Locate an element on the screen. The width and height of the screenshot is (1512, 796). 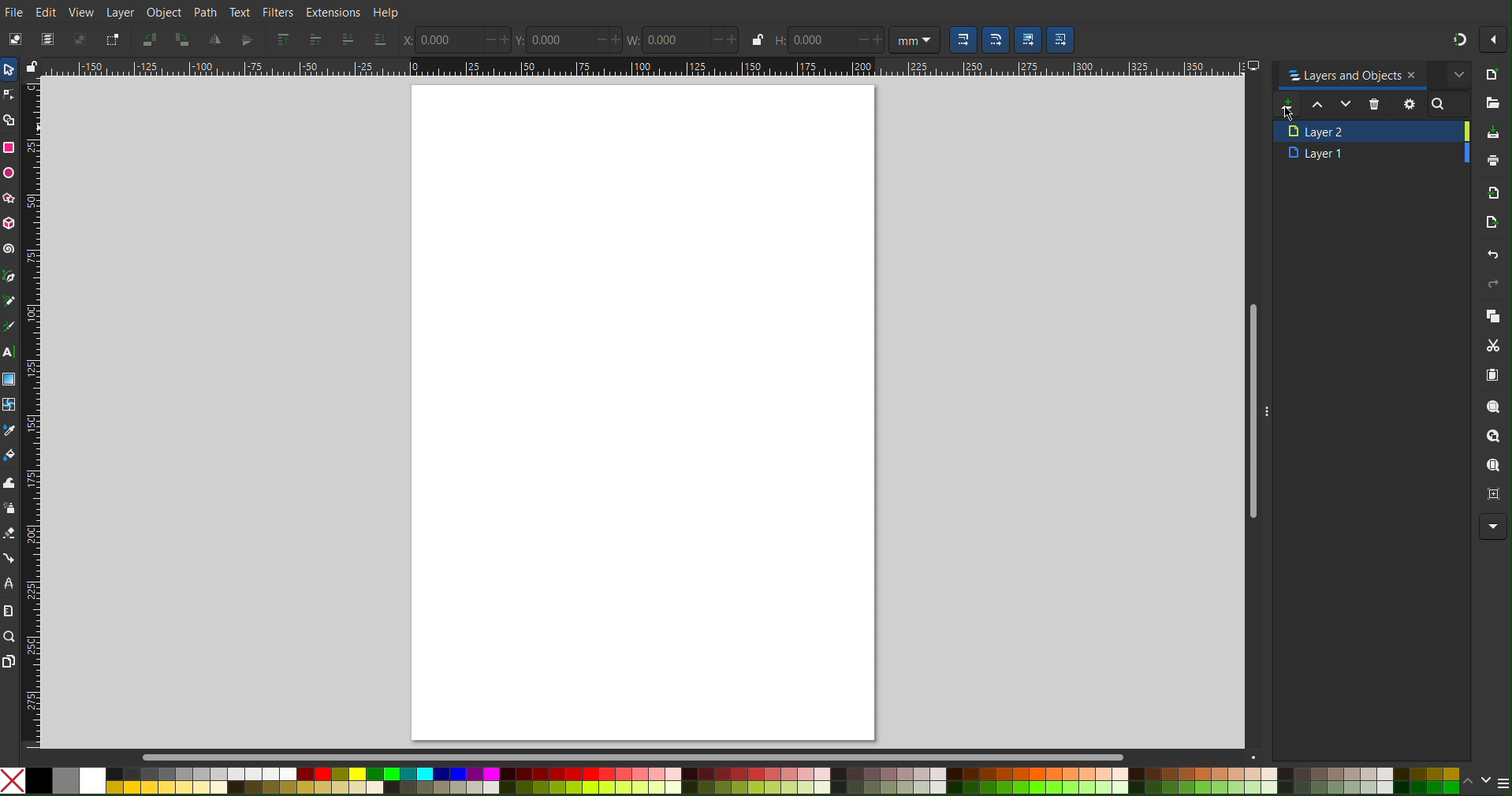
New is located at coordinates (1492, 77).